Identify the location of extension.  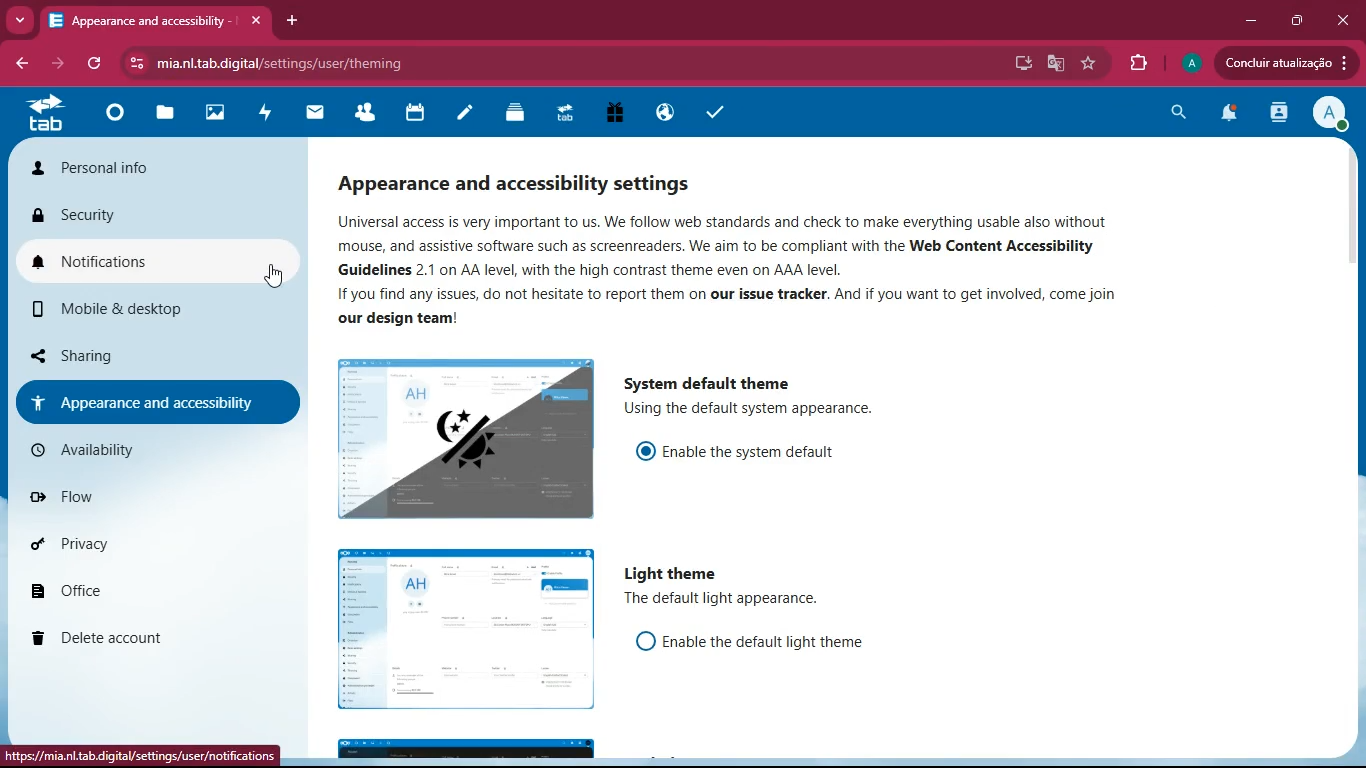
(1138, 60).